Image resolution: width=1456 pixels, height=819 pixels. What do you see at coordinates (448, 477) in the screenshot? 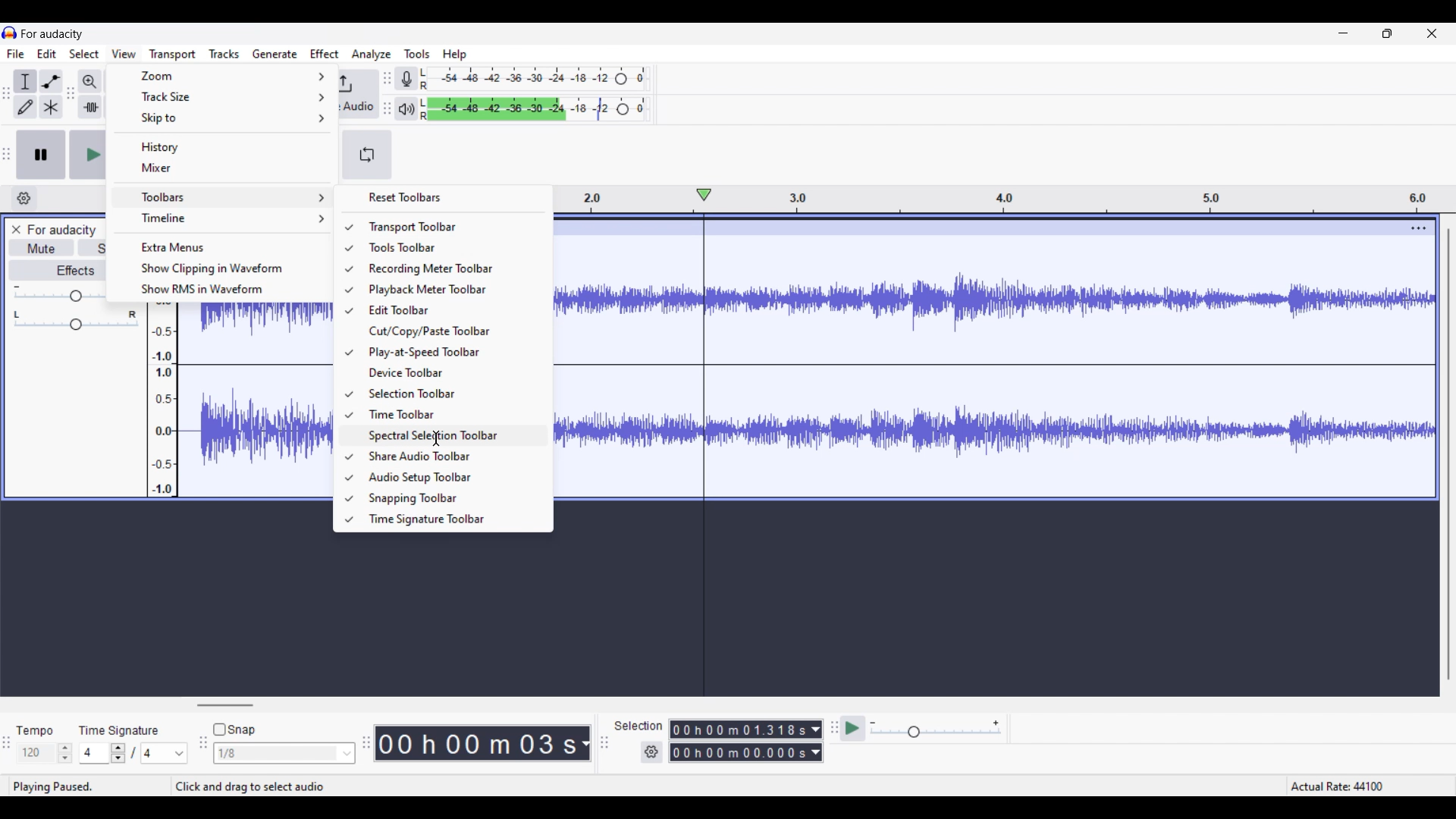
I see `Audio setup toolbar` at bounding box center [448, 477].